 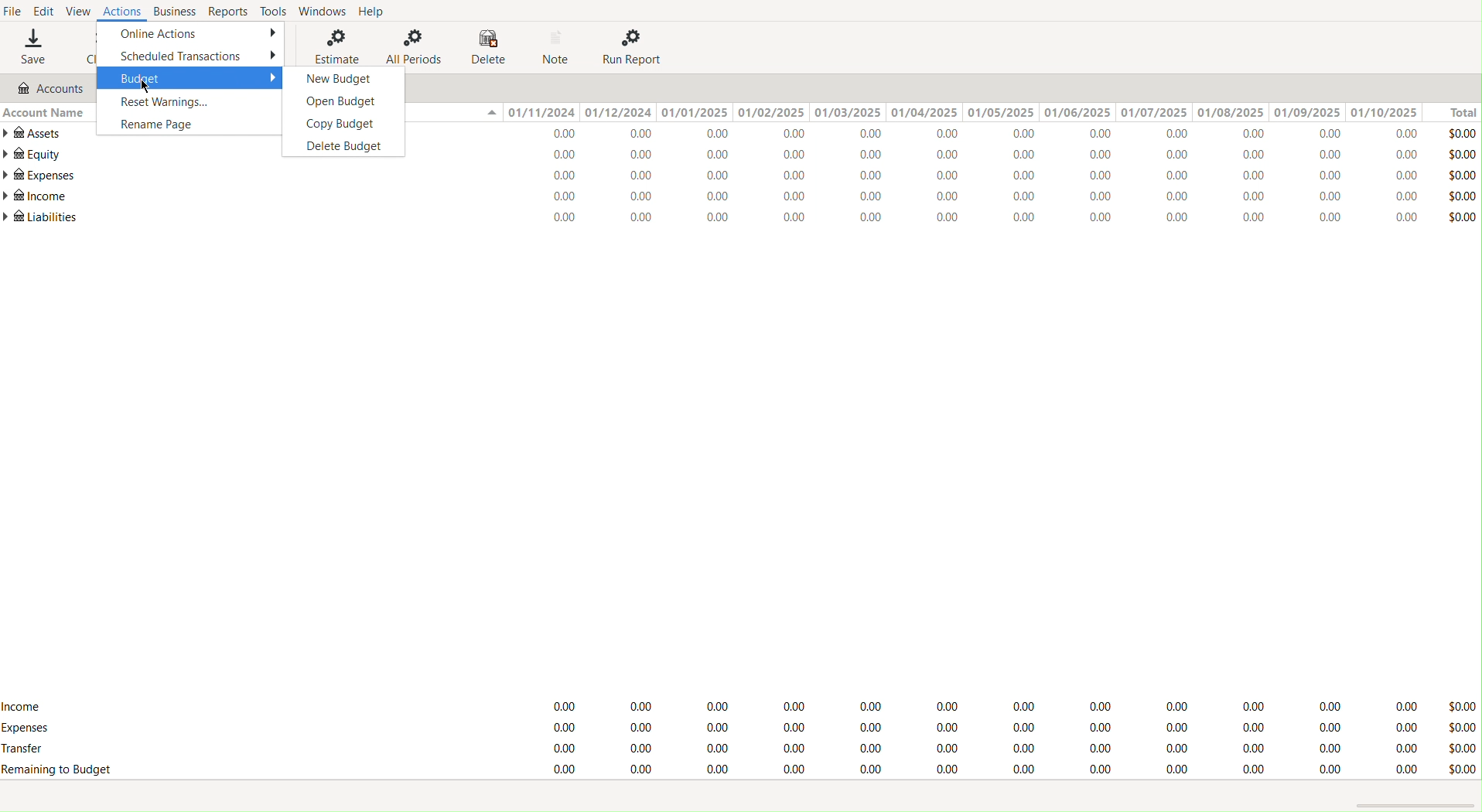 I want to click on Remaining Budget, so click(x=57, y=769).